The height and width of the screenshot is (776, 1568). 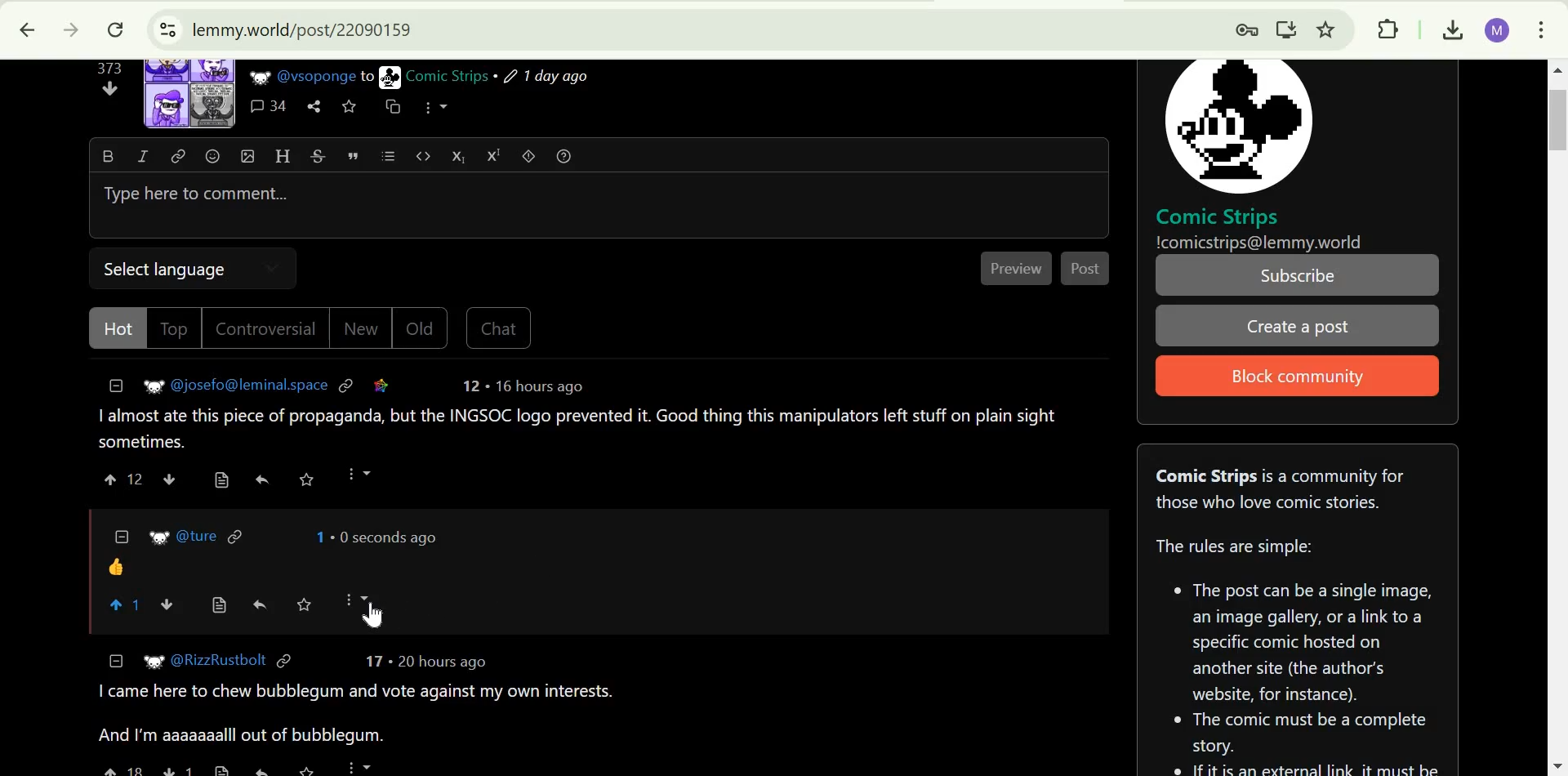 I want to click on Bold, so click(x=107, y=155).